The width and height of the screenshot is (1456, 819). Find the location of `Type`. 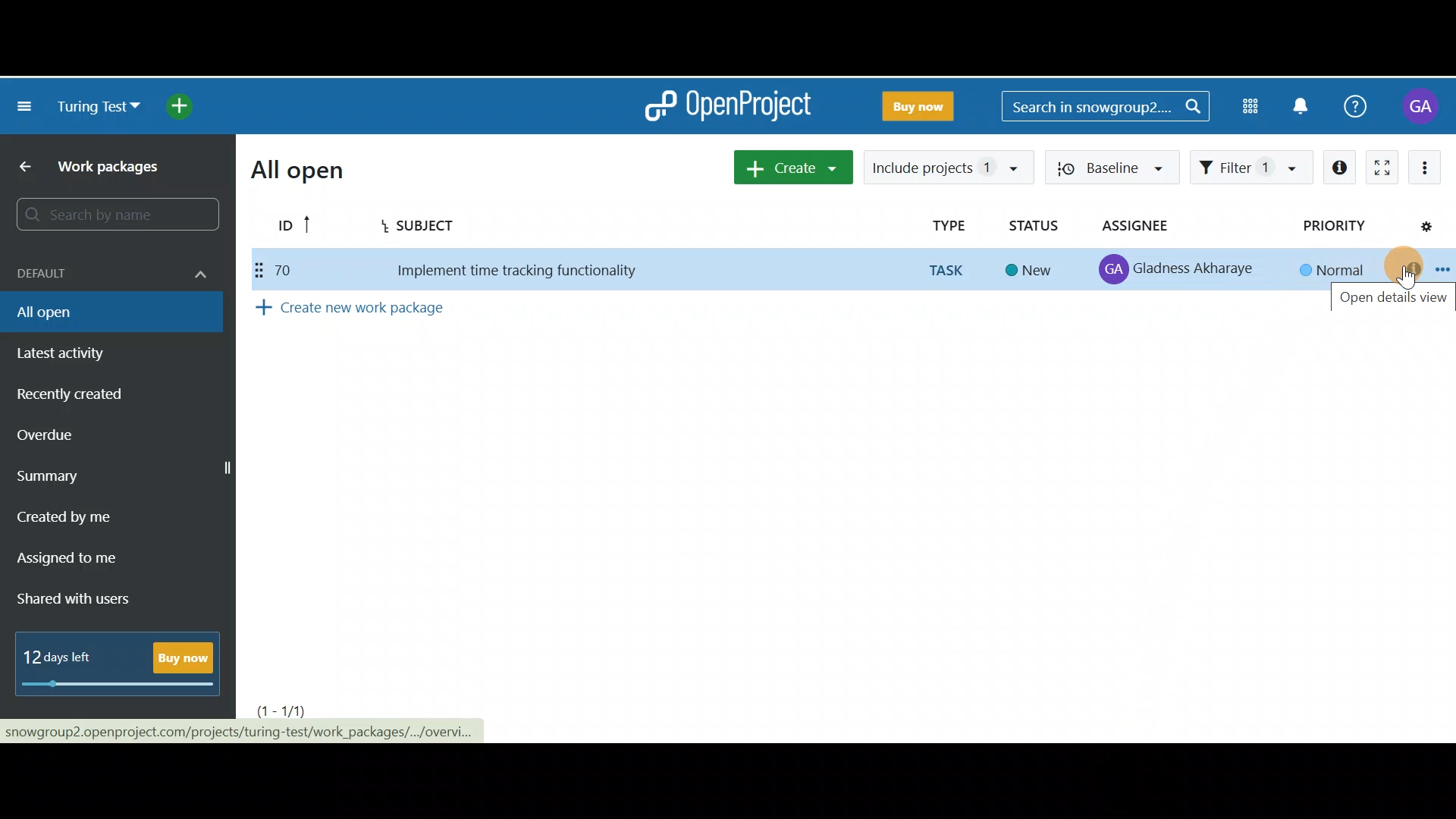

Type is located at coordinates (949, 225).